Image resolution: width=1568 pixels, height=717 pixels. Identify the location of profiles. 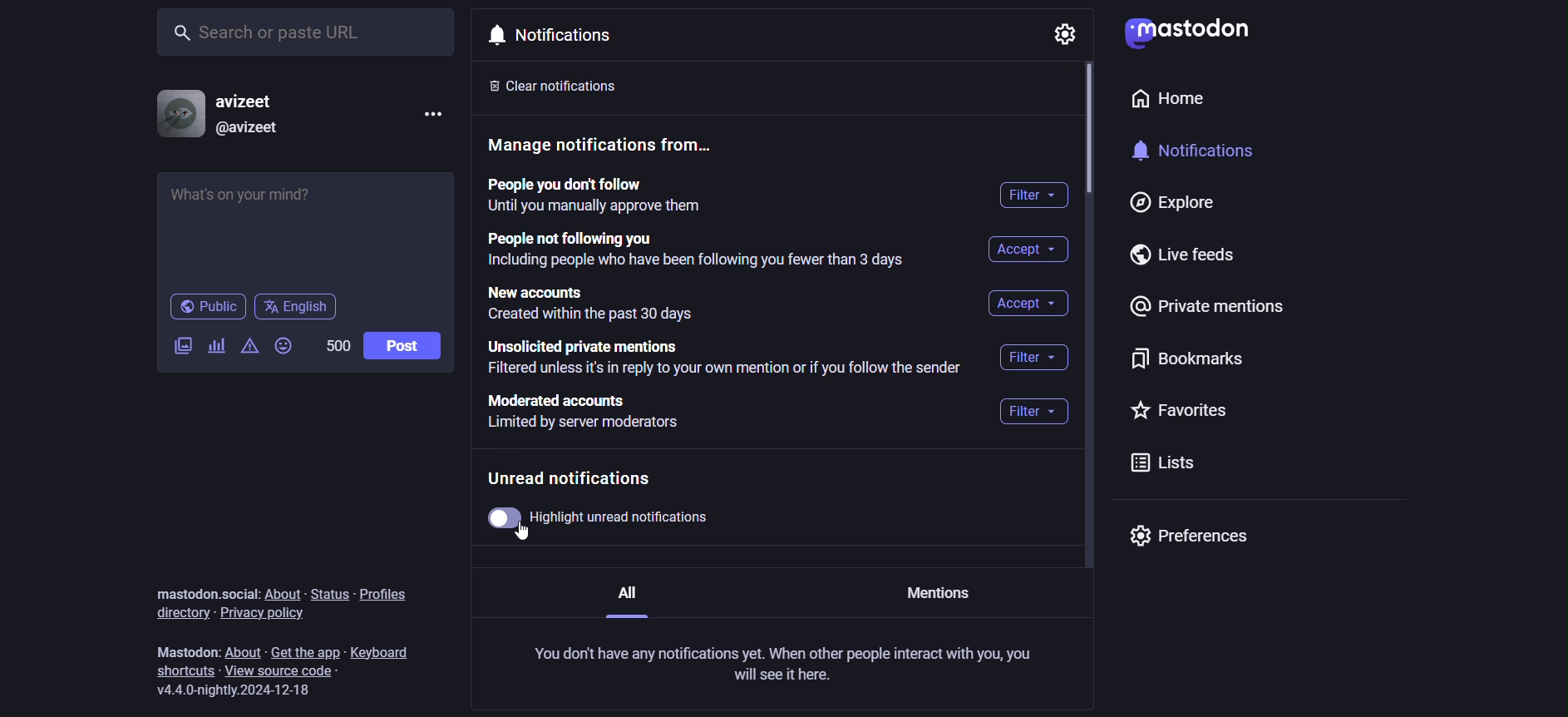
(386, 593).